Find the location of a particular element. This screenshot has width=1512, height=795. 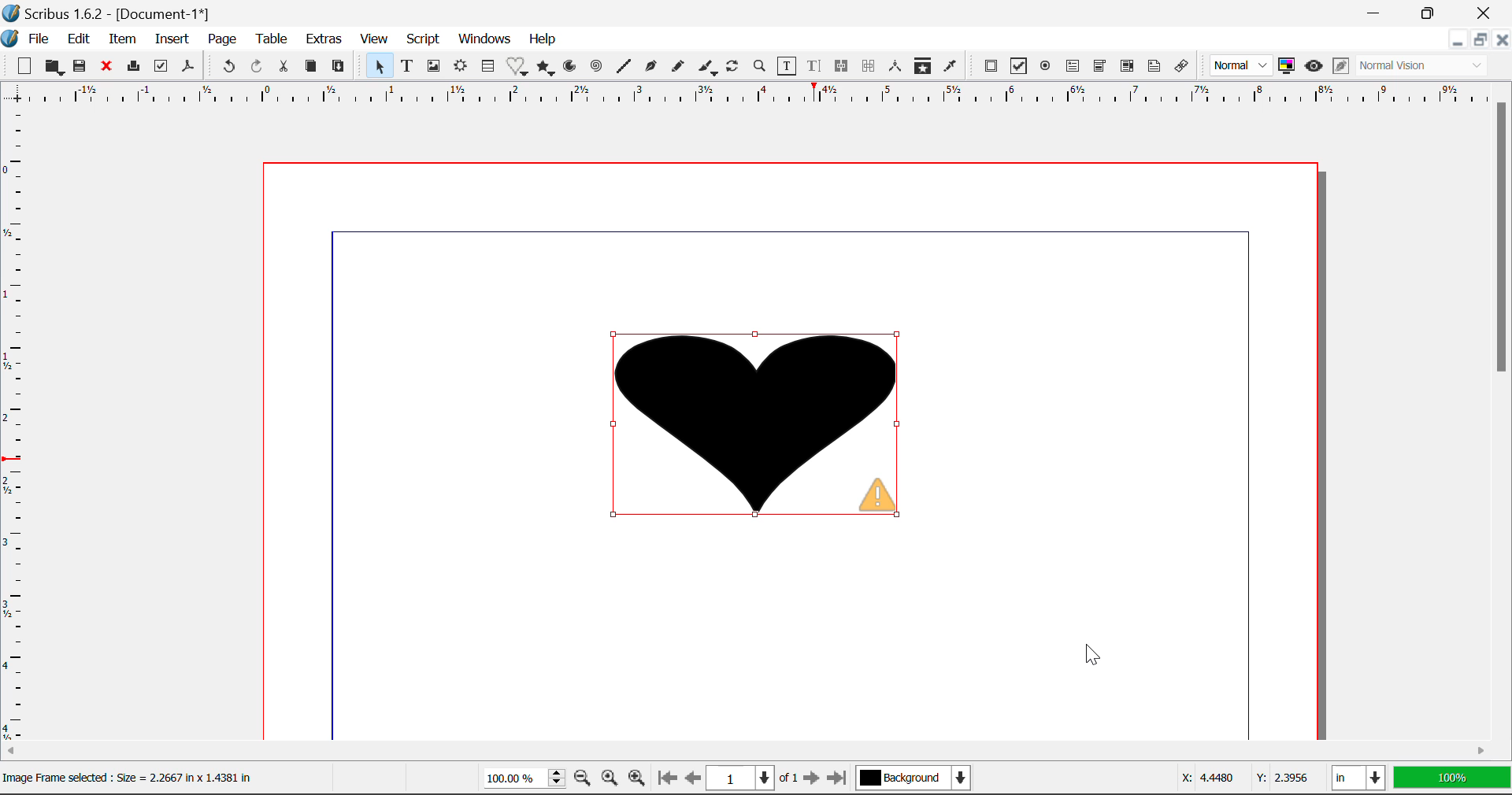

Table is located at coordinates (274, 39).